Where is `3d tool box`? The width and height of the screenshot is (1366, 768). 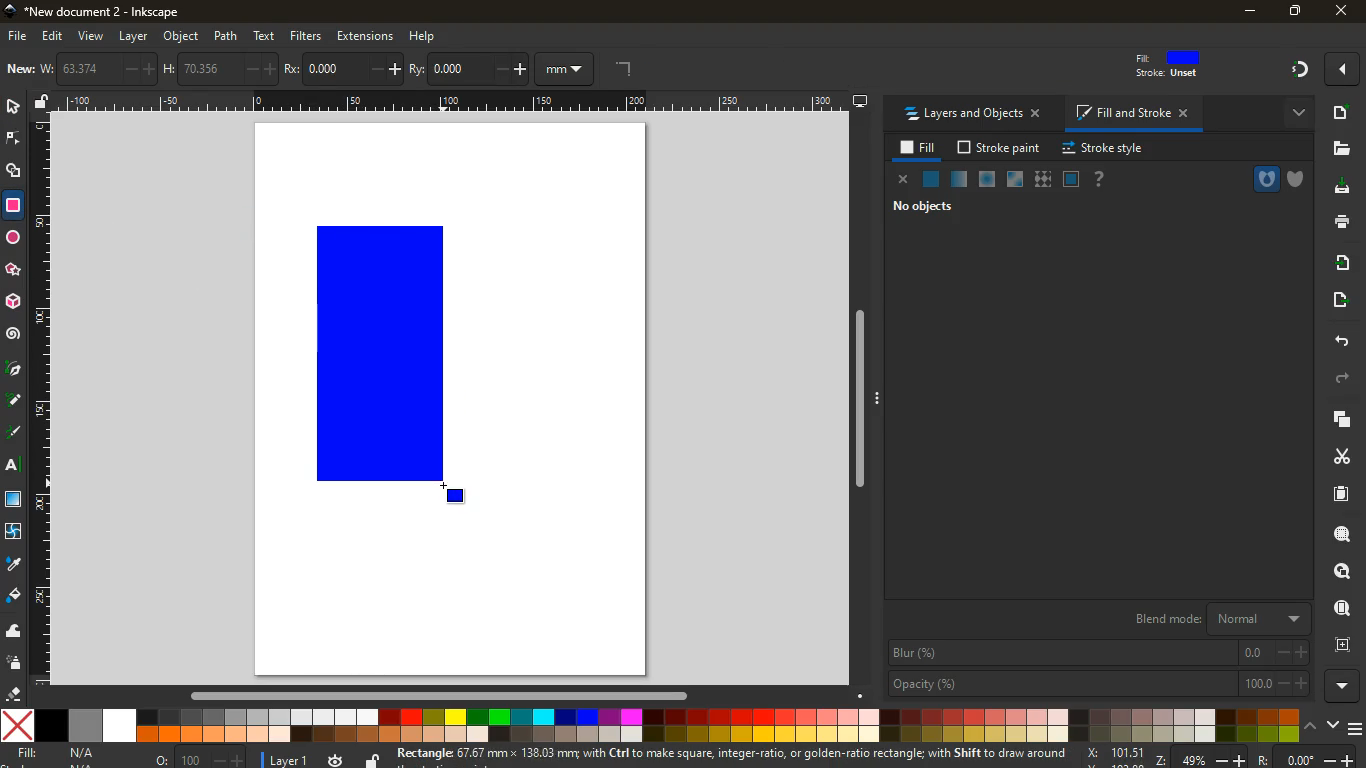
3d tool box is located at coordinates (13, 303).